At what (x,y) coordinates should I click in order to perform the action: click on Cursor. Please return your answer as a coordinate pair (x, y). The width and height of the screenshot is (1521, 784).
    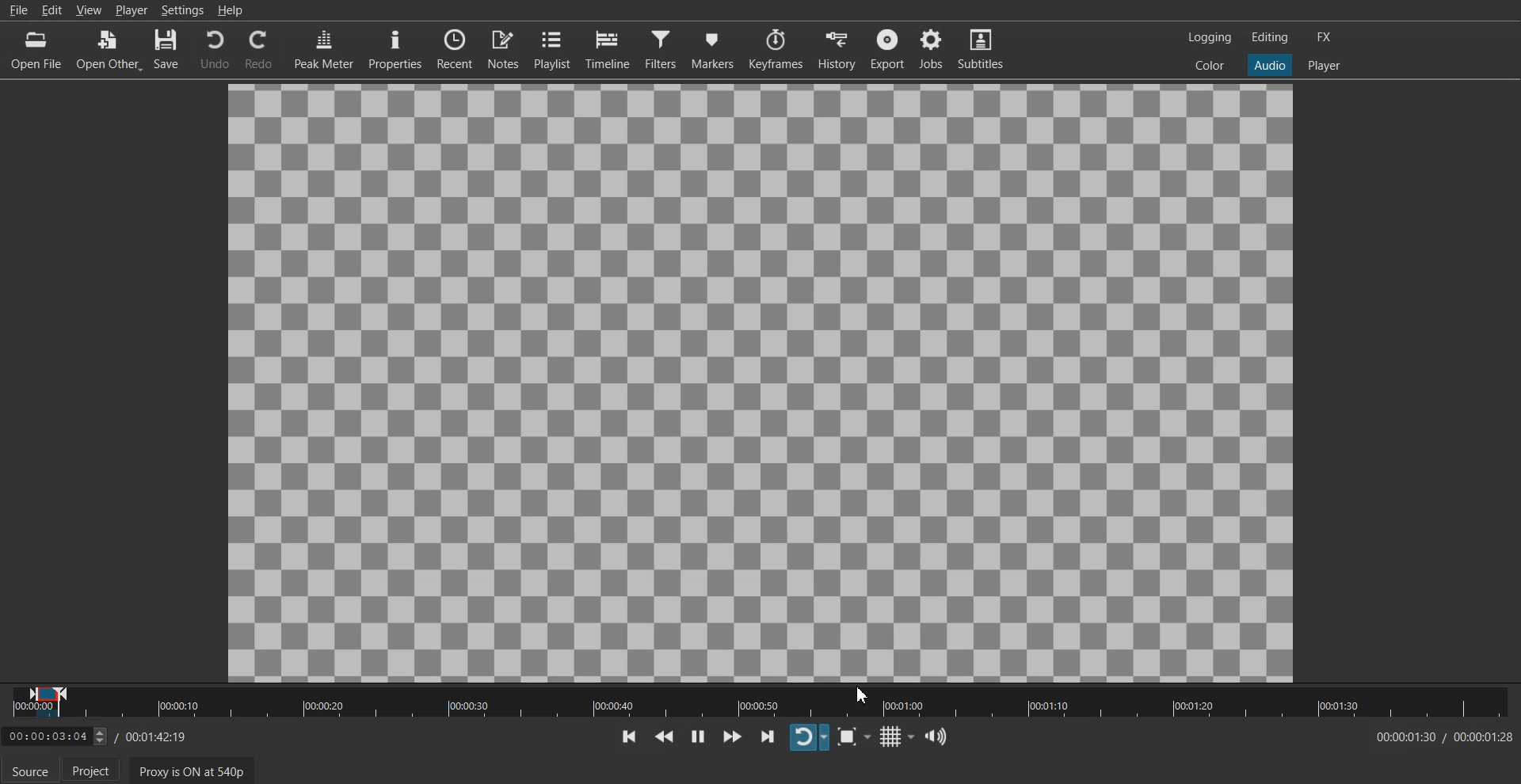
    Looking at the image, I should click on (864, 693).